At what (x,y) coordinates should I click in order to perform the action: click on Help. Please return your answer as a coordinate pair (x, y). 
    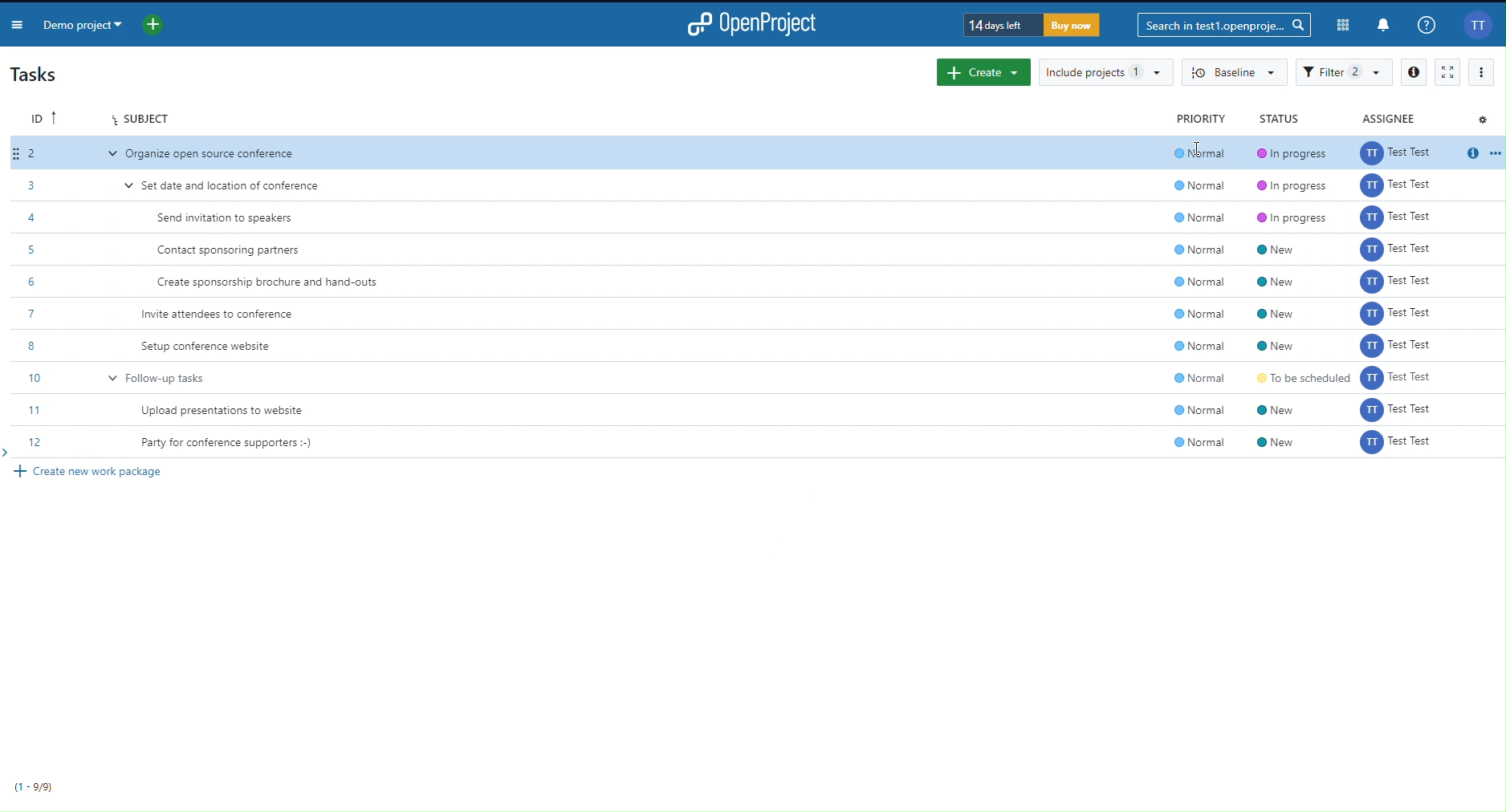
    Looking at the image, I should click on (1427, 25).